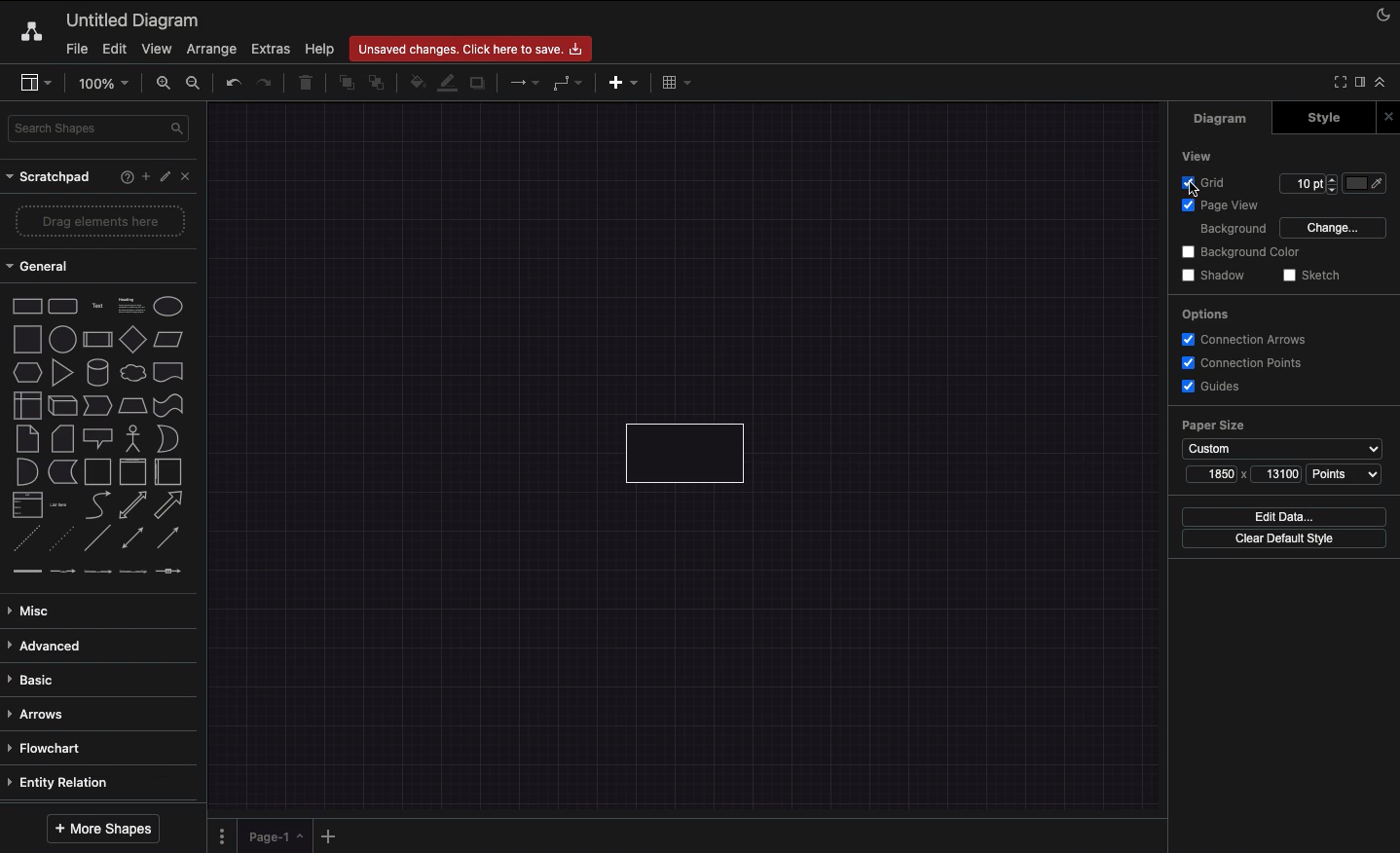 Image resolution: width=1400 pixels, height=853 pixels. Describe the element at coordinates (210, 49) in the screenshot. I see `Arrange` at that location.